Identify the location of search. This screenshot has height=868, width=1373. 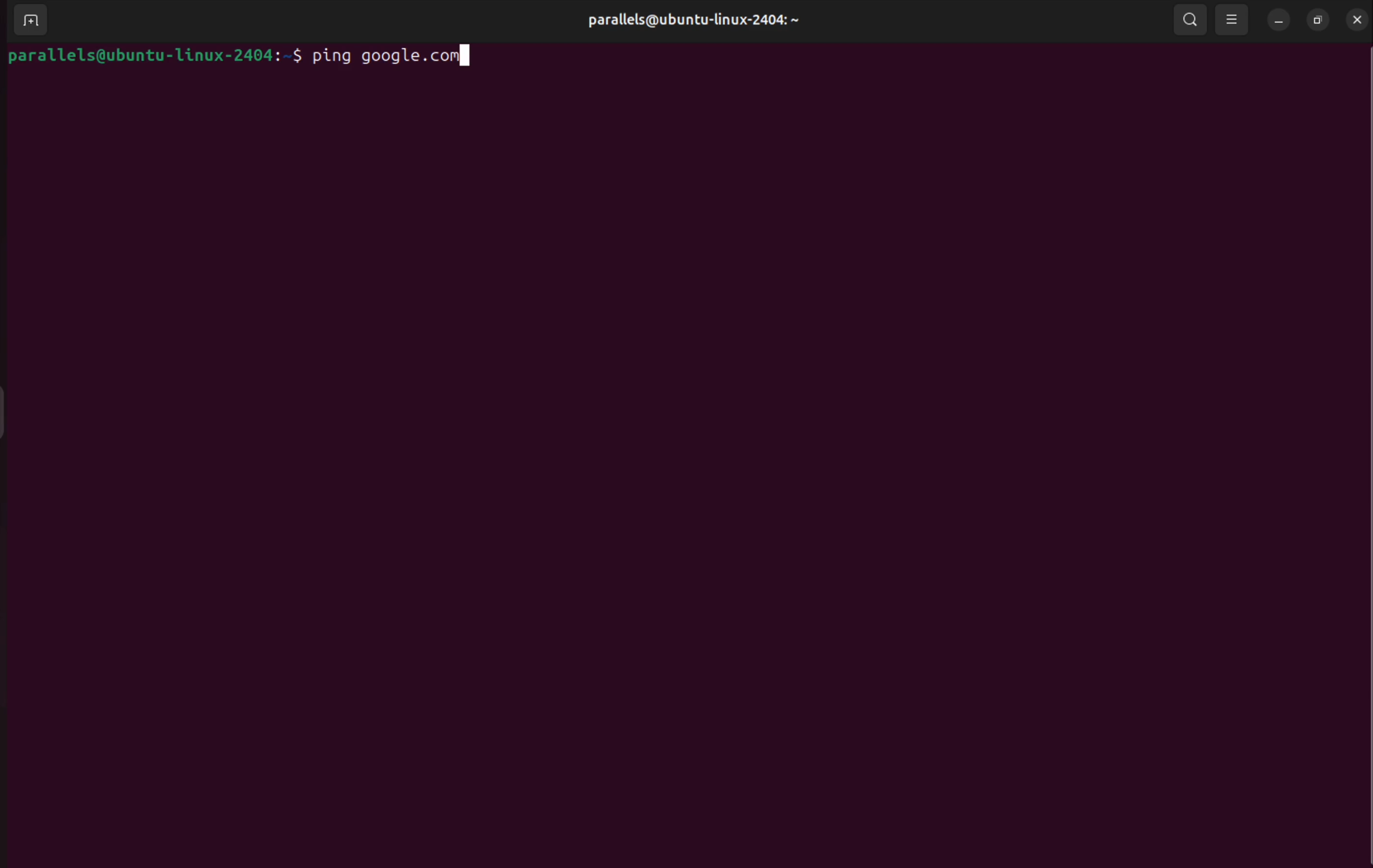
(1189, 19).